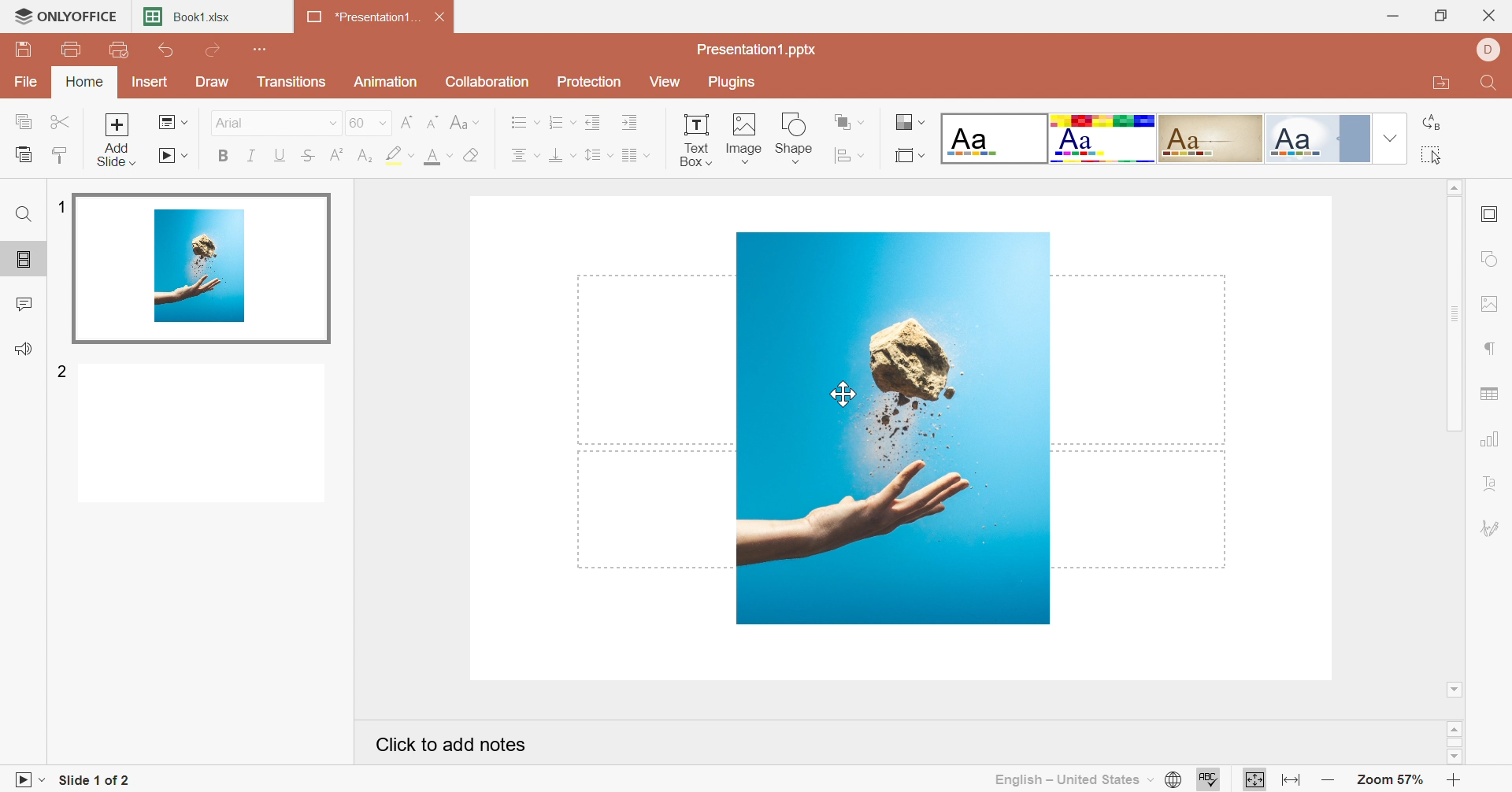 The height and width of the screenshot is (792, 1512). I want to click on Customize quick access toolbar, so click(262, 48).